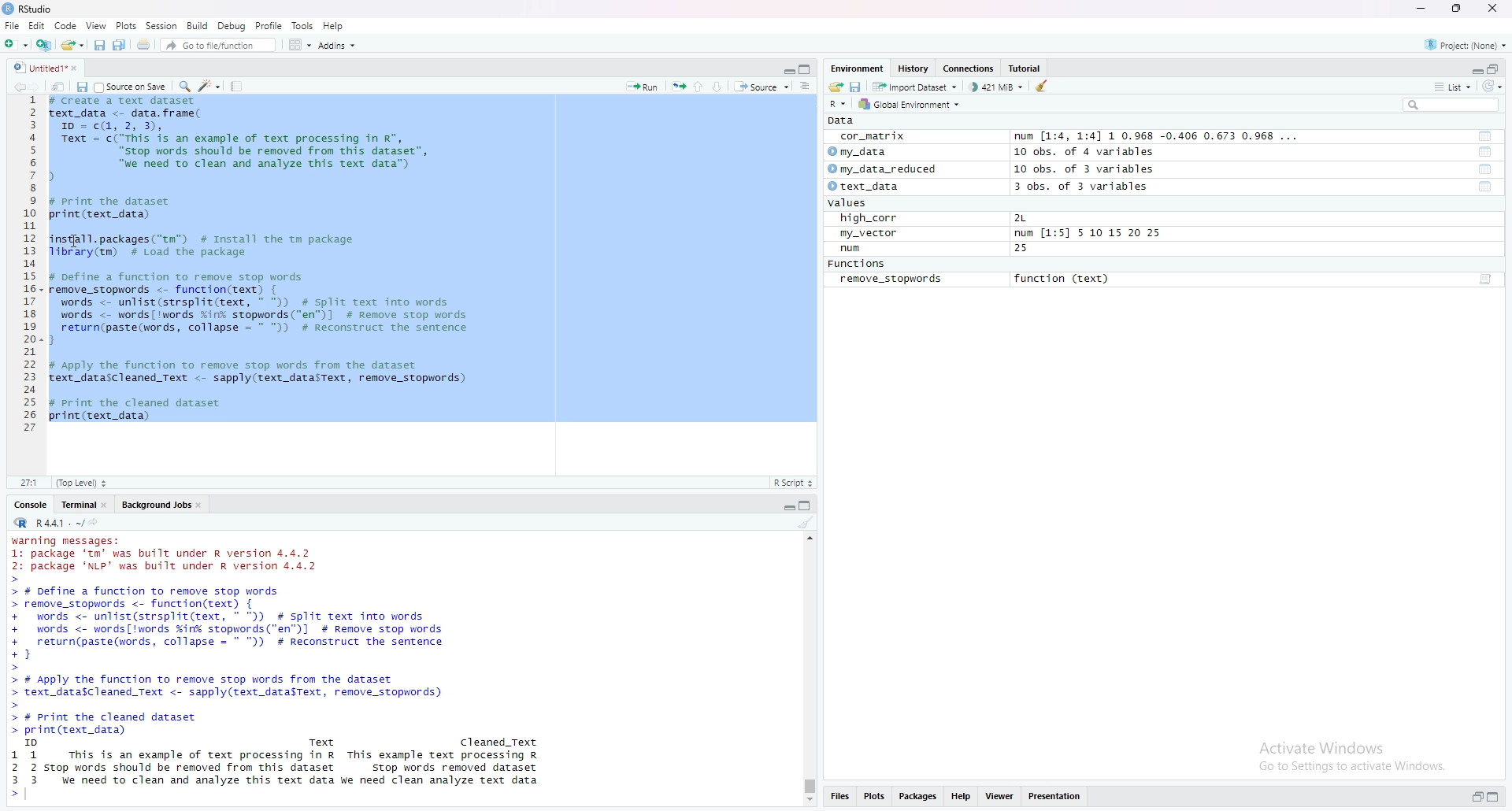  I want to click on save all open documents, so click(124, 46).